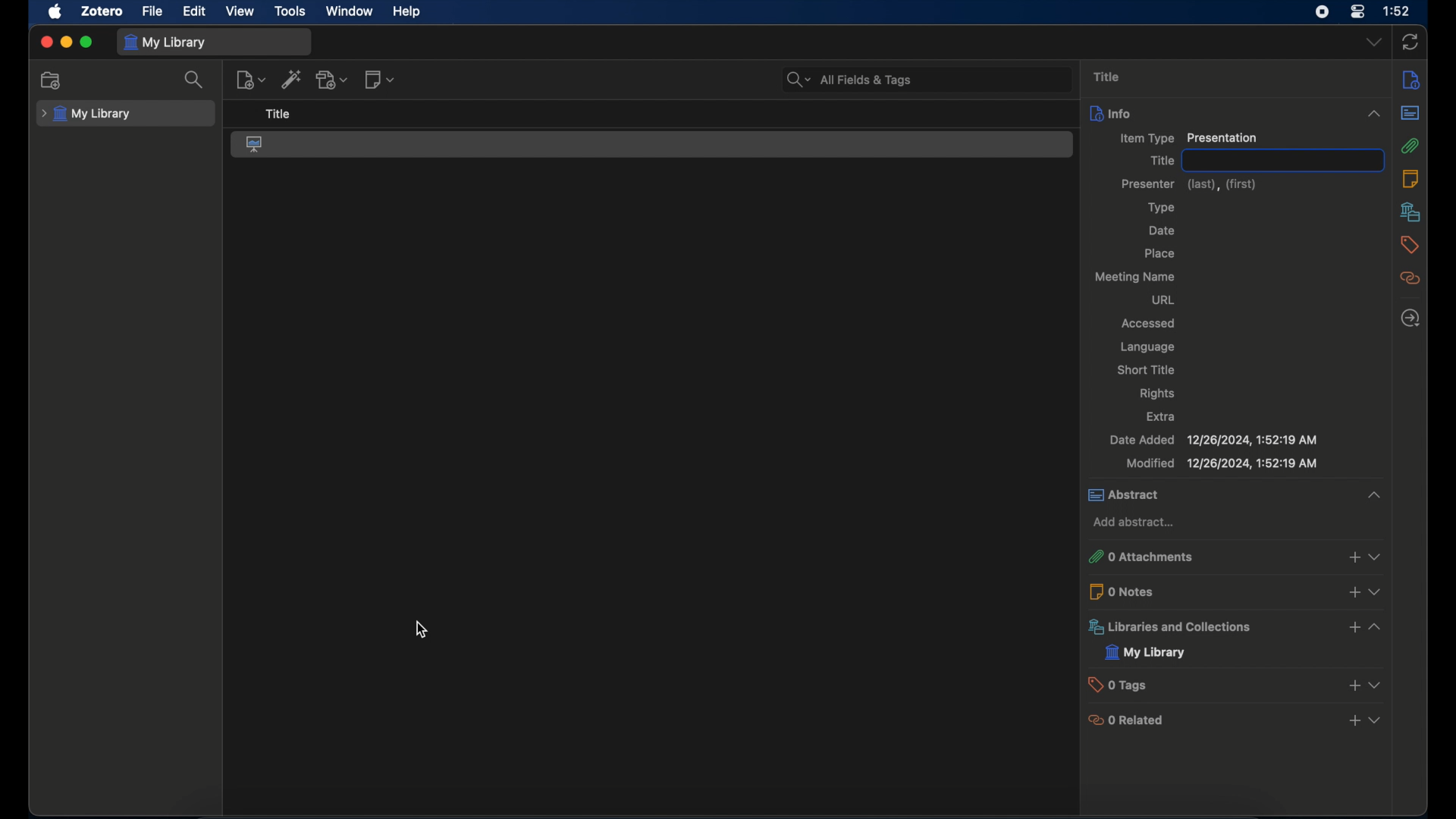 The width and height of the screenshot is (1456, 819). Describe the element at coordinates (1221, 463) in the screenshot. I see `modified 12/26/2024, 1:52:19 AM` at that location.